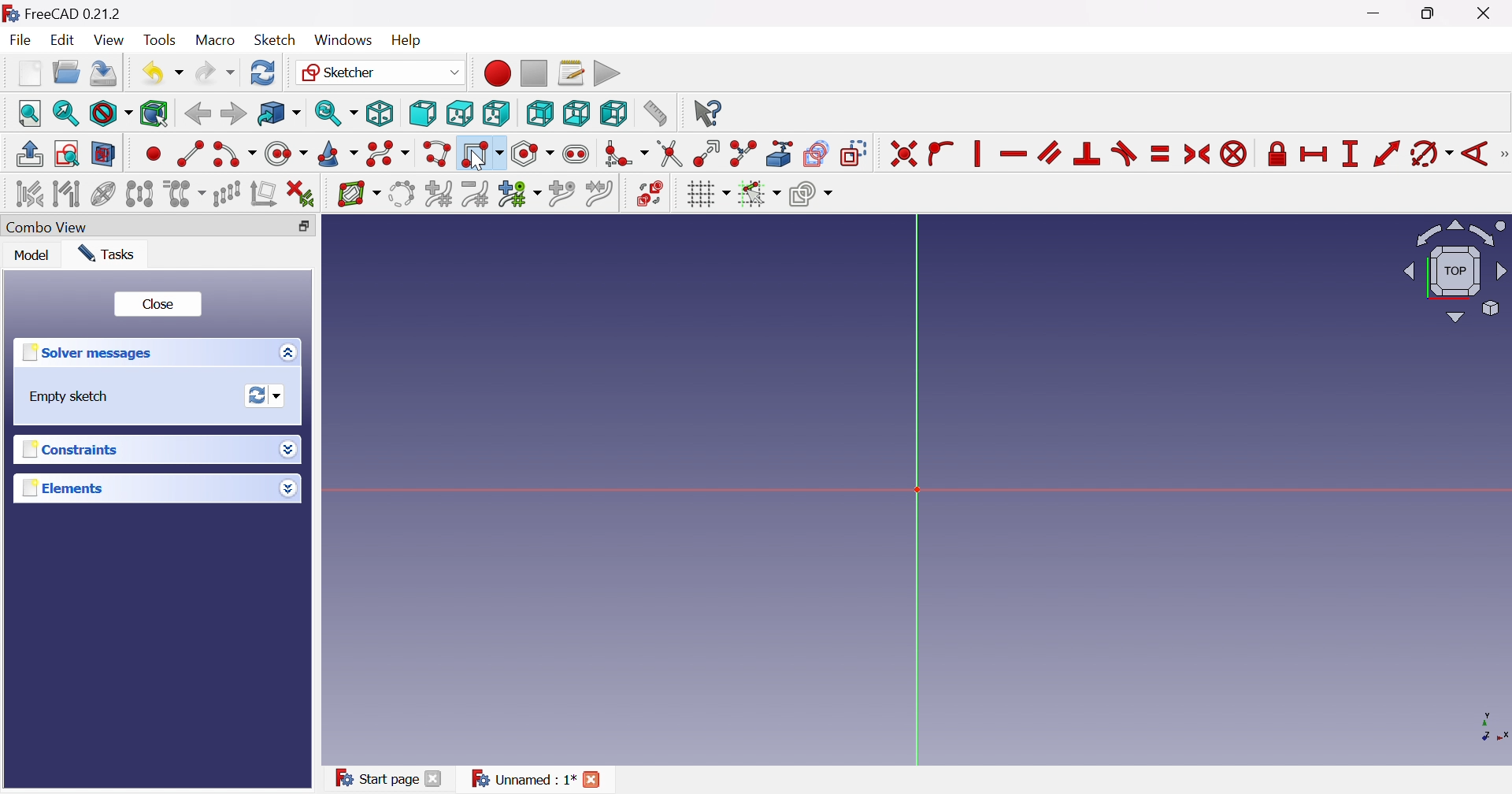  I want to click on Create line, so click(189, 152).